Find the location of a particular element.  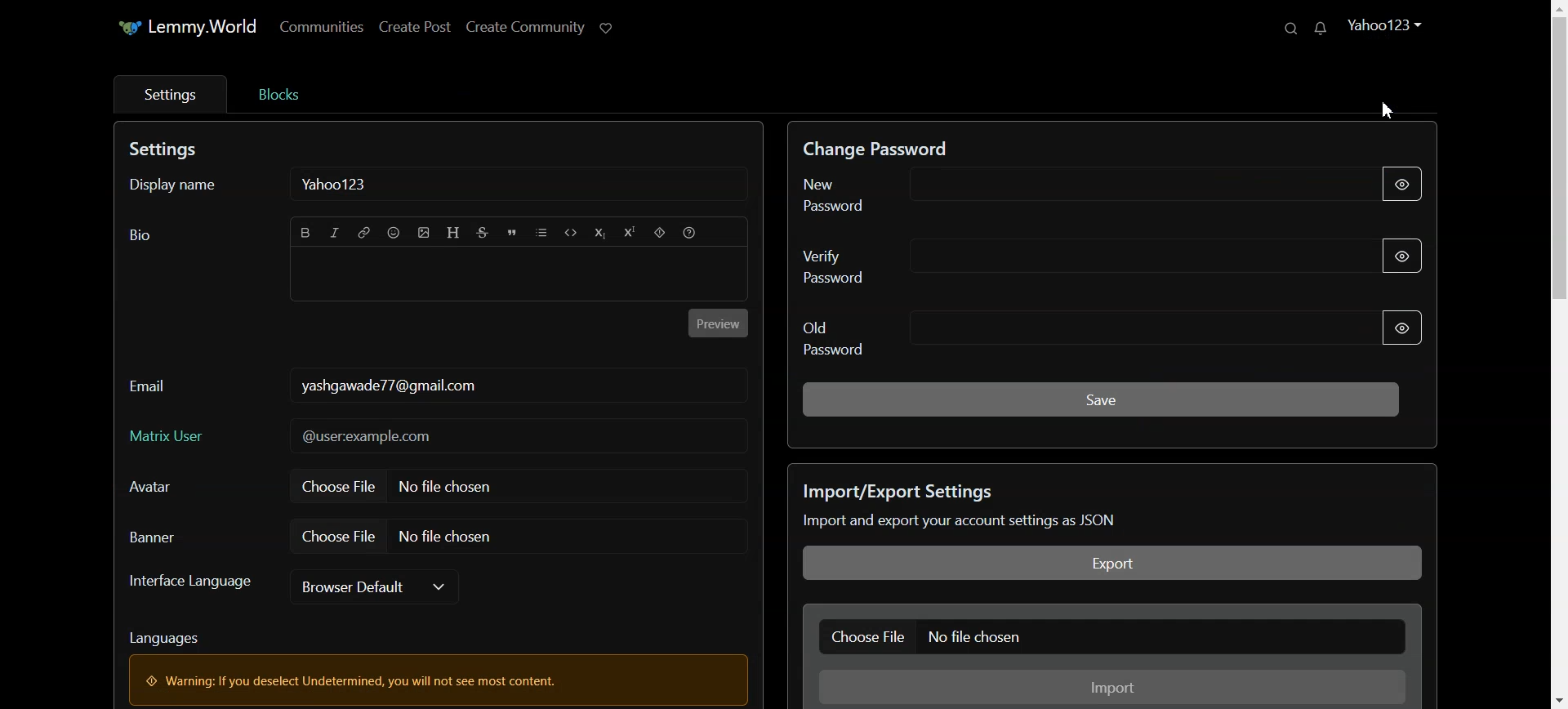

Hyperlink is located at coordinates (365, 231).